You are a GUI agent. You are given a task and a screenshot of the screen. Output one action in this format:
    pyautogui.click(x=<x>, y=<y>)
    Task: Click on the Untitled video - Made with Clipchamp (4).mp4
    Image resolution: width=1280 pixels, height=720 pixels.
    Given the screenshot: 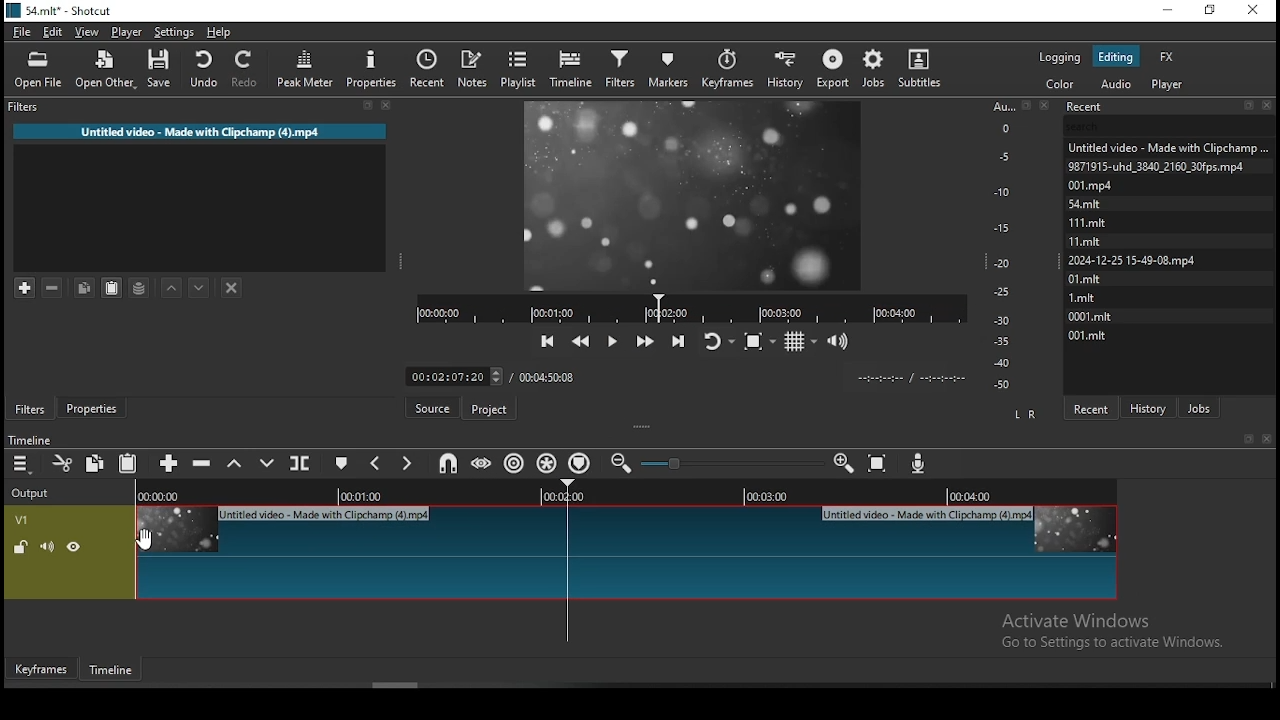 What is the action you would take?
    pyautogui.click(x=203, y=129)
    